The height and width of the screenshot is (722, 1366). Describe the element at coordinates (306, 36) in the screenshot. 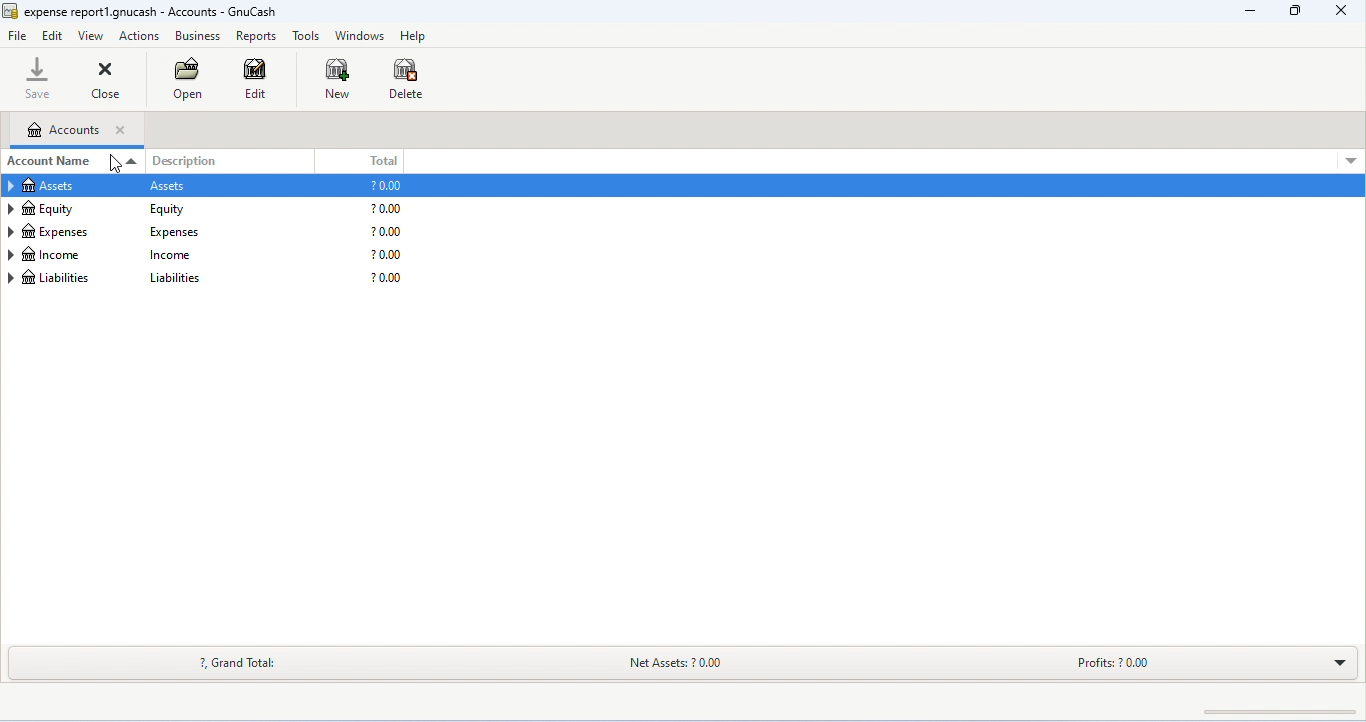

I see `tools` at that location.